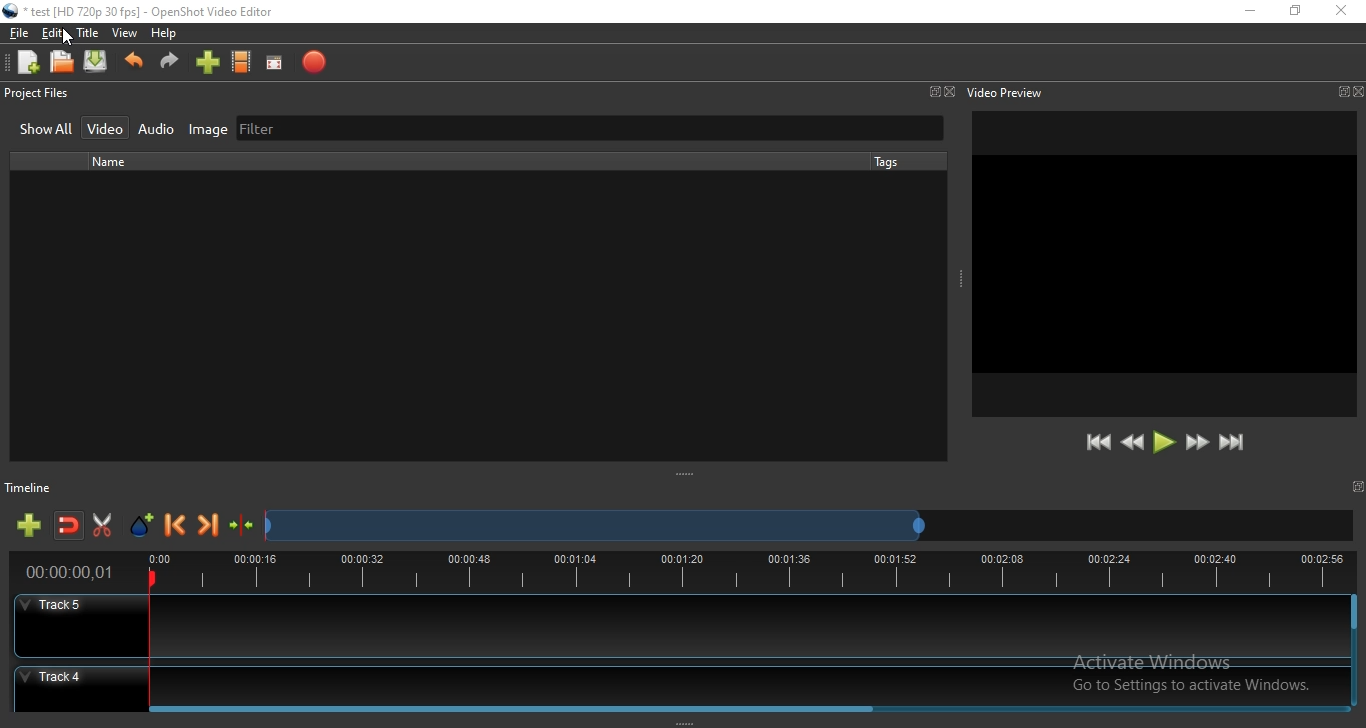 The width and height of the screenshot is (1366, 728). Describe the element at coordinates (278, 63) in the screenshot. I see `Full screen ` at that location.